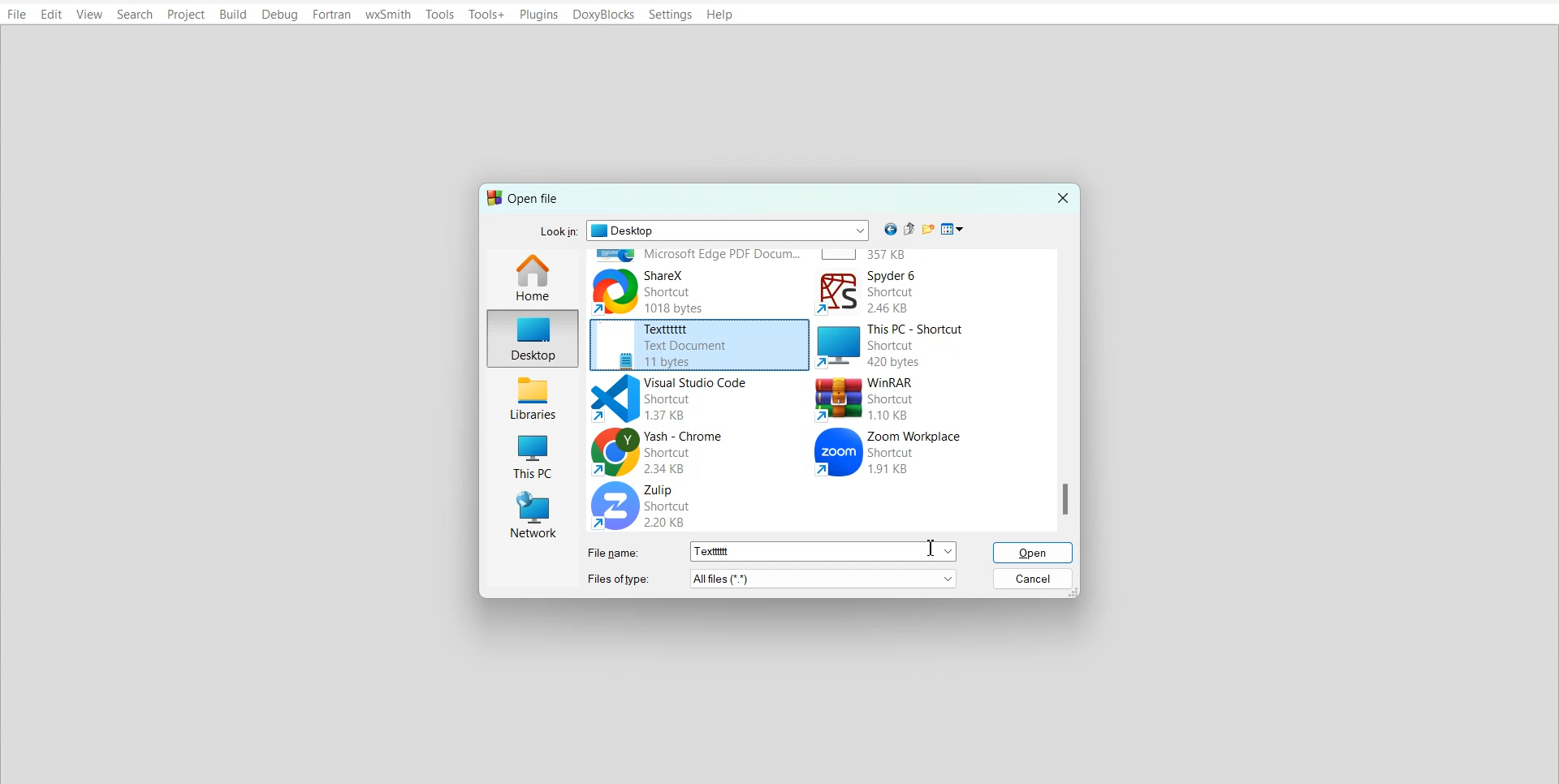 This screenshot has width=1559, height=784. Describe the element at coordinates (1034, 579) in the screenshot. I see `Cancel` at that location.